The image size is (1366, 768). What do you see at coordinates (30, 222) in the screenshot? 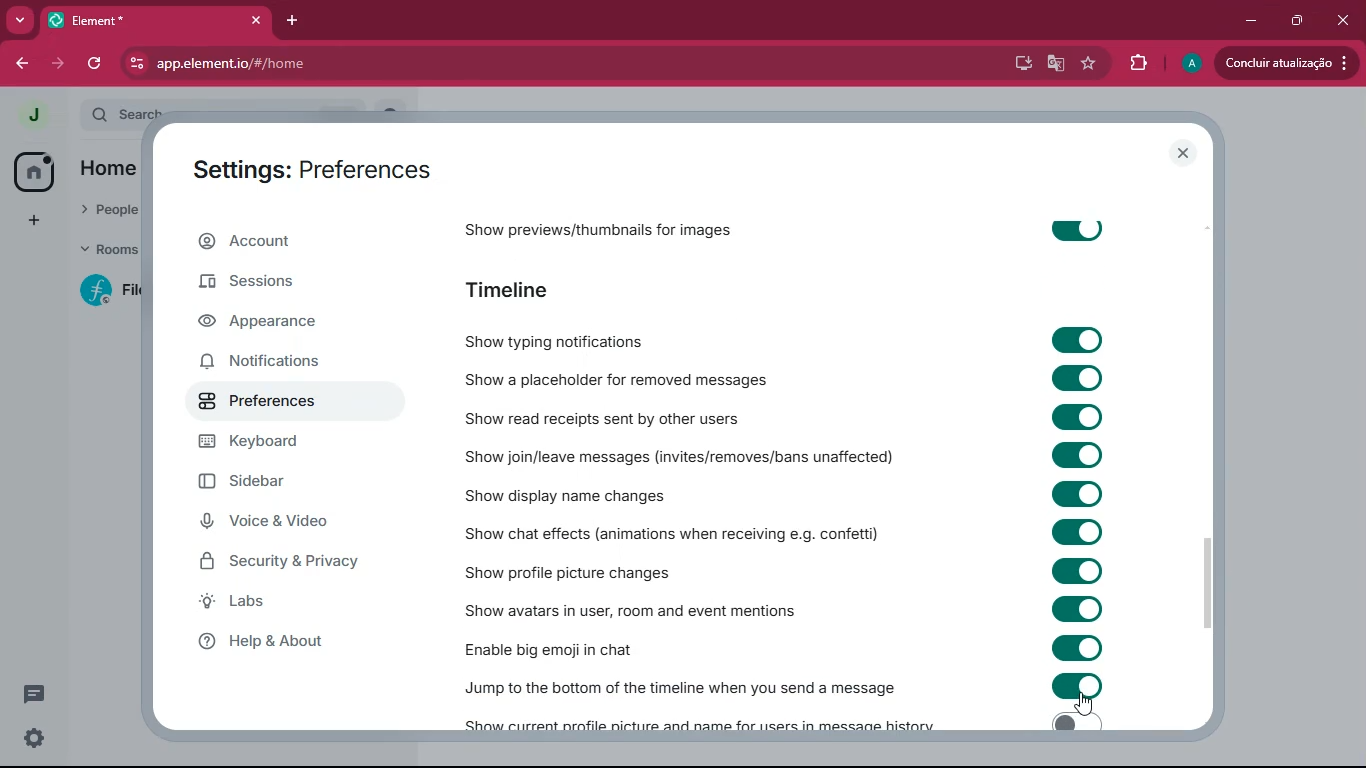
I see `add` at bounding box center [30, 222].